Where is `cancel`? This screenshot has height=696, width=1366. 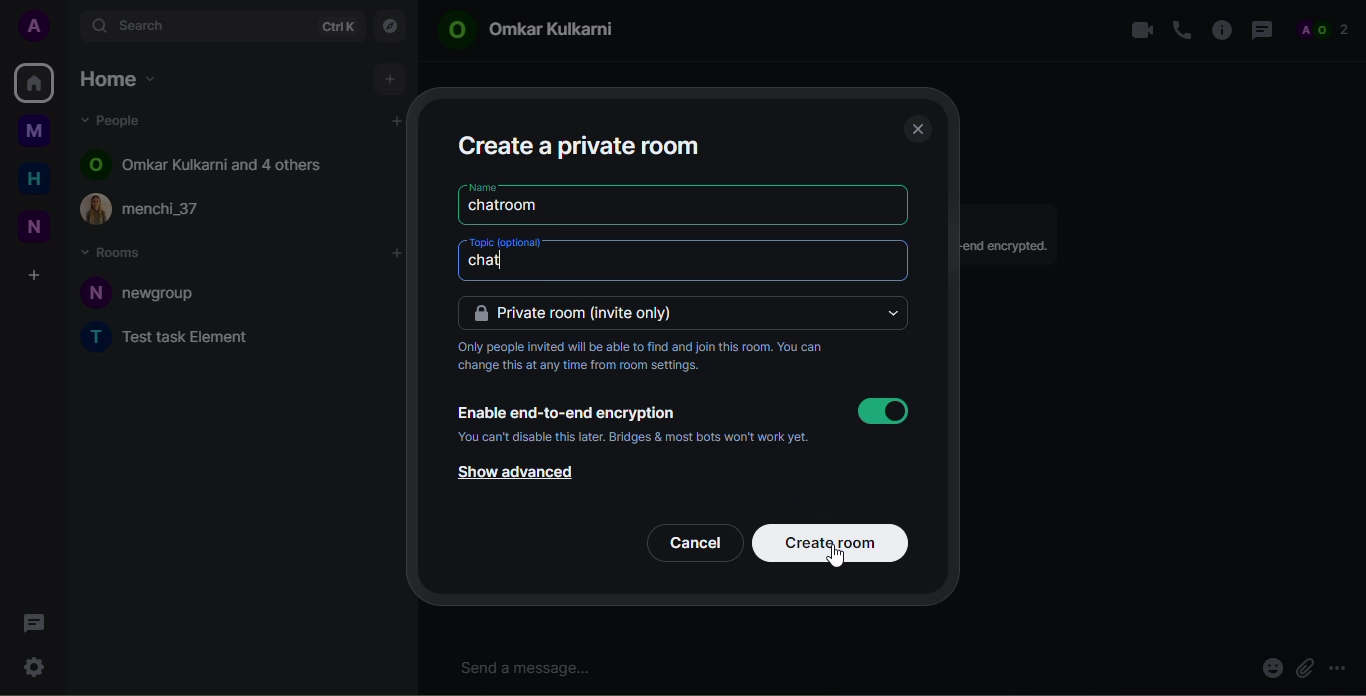 cancel is located at coordinates (694, 541).